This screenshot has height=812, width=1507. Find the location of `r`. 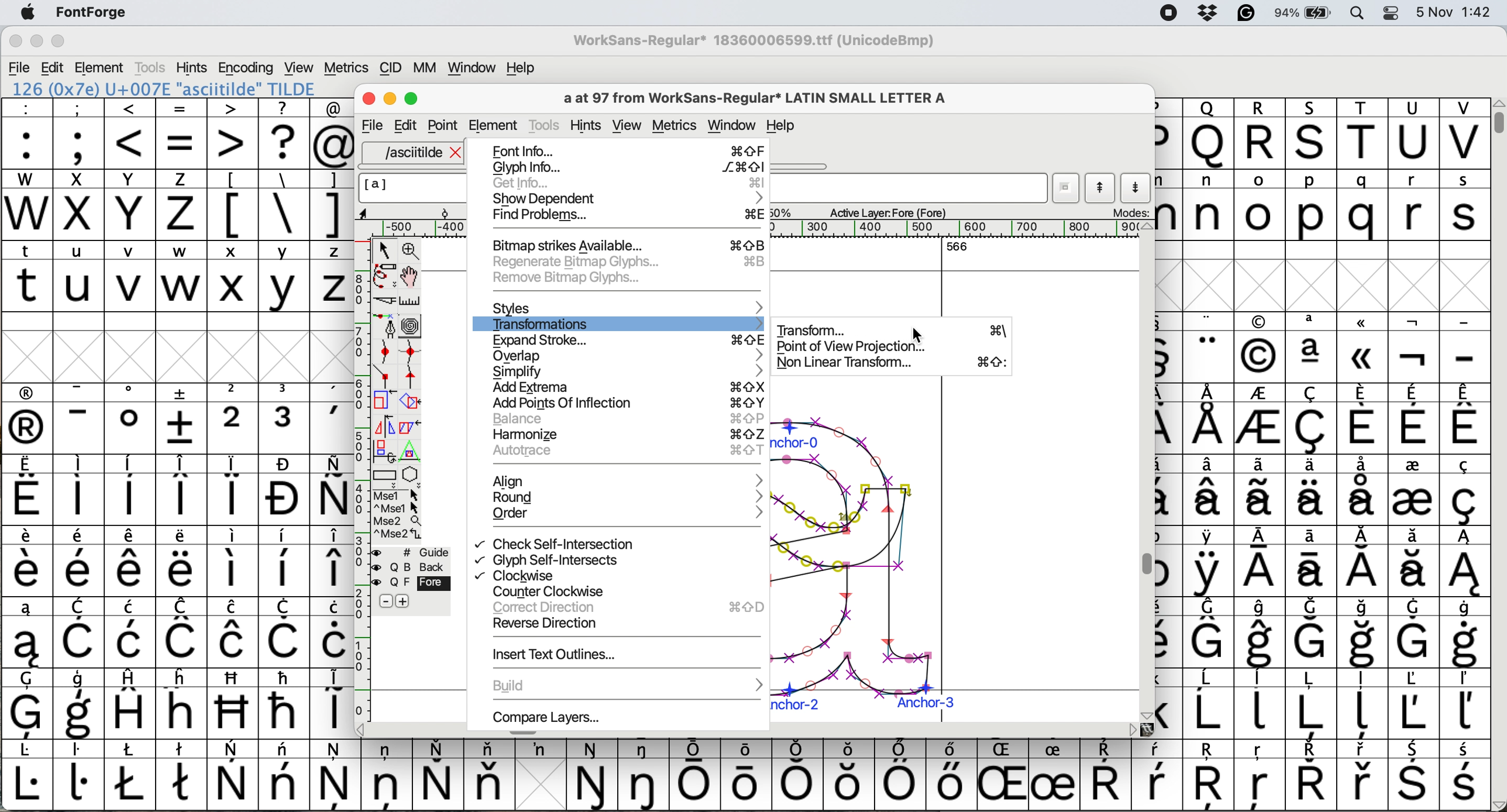

r is located at coordinates (1412, 205).